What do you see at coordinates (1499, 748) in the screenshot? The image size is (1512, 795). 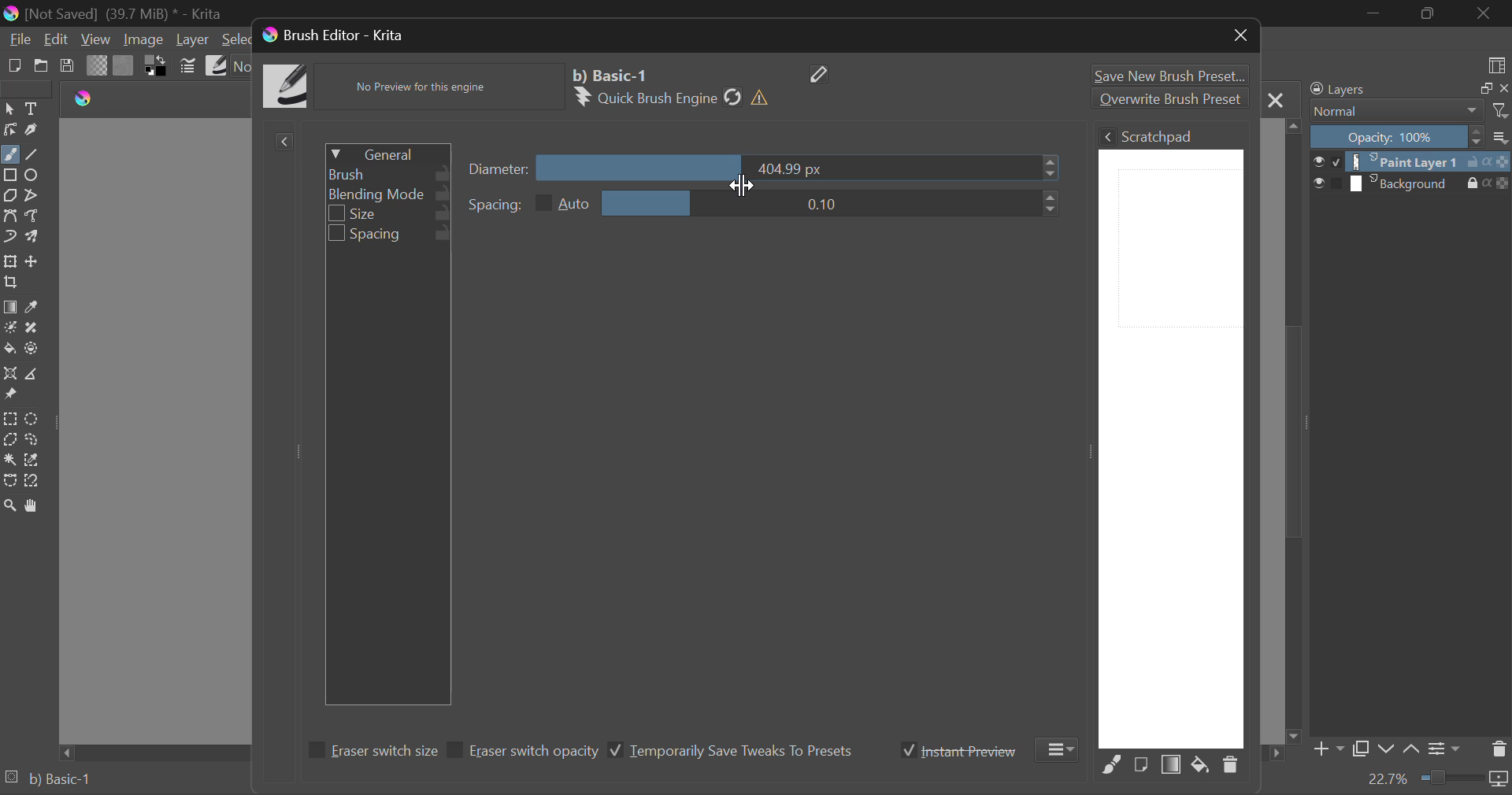 I see `Delete Layer` at bounding box center [1499, 748].